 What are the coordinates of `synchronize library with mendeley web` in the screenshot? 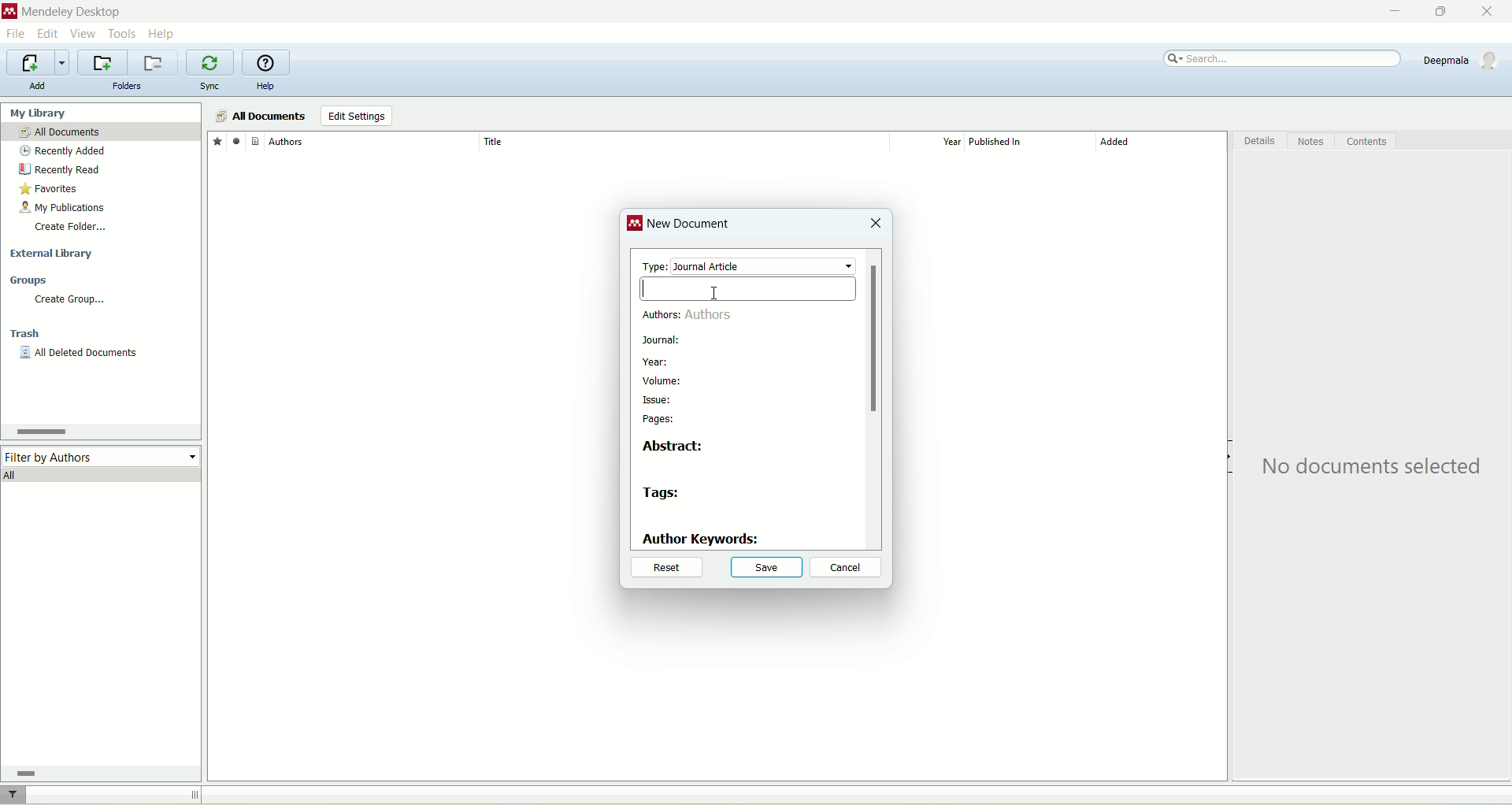 It's located at (212, 63).